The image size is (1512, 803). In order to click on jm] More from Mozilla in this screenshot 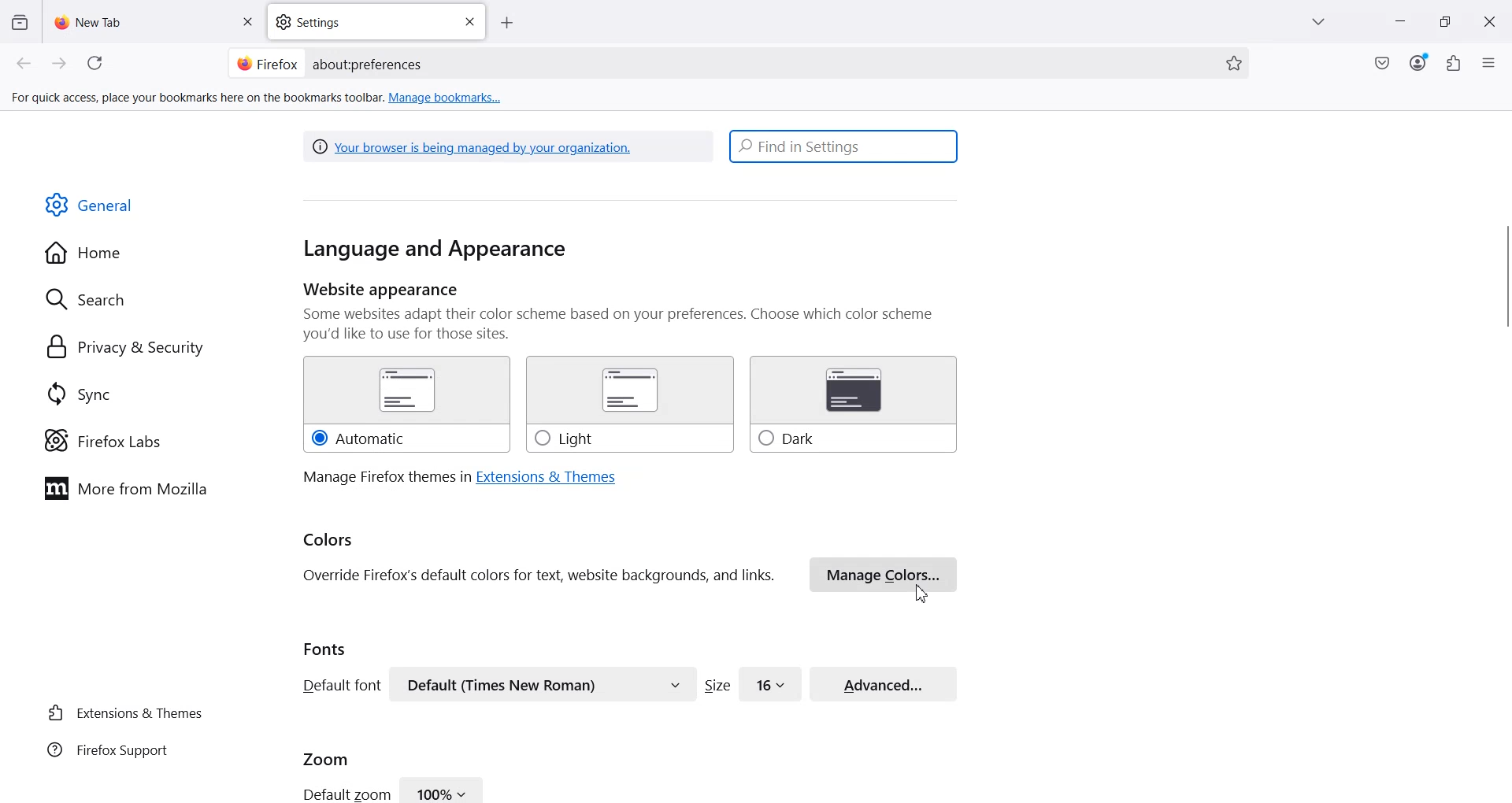, I will do `click(125, 490)`.